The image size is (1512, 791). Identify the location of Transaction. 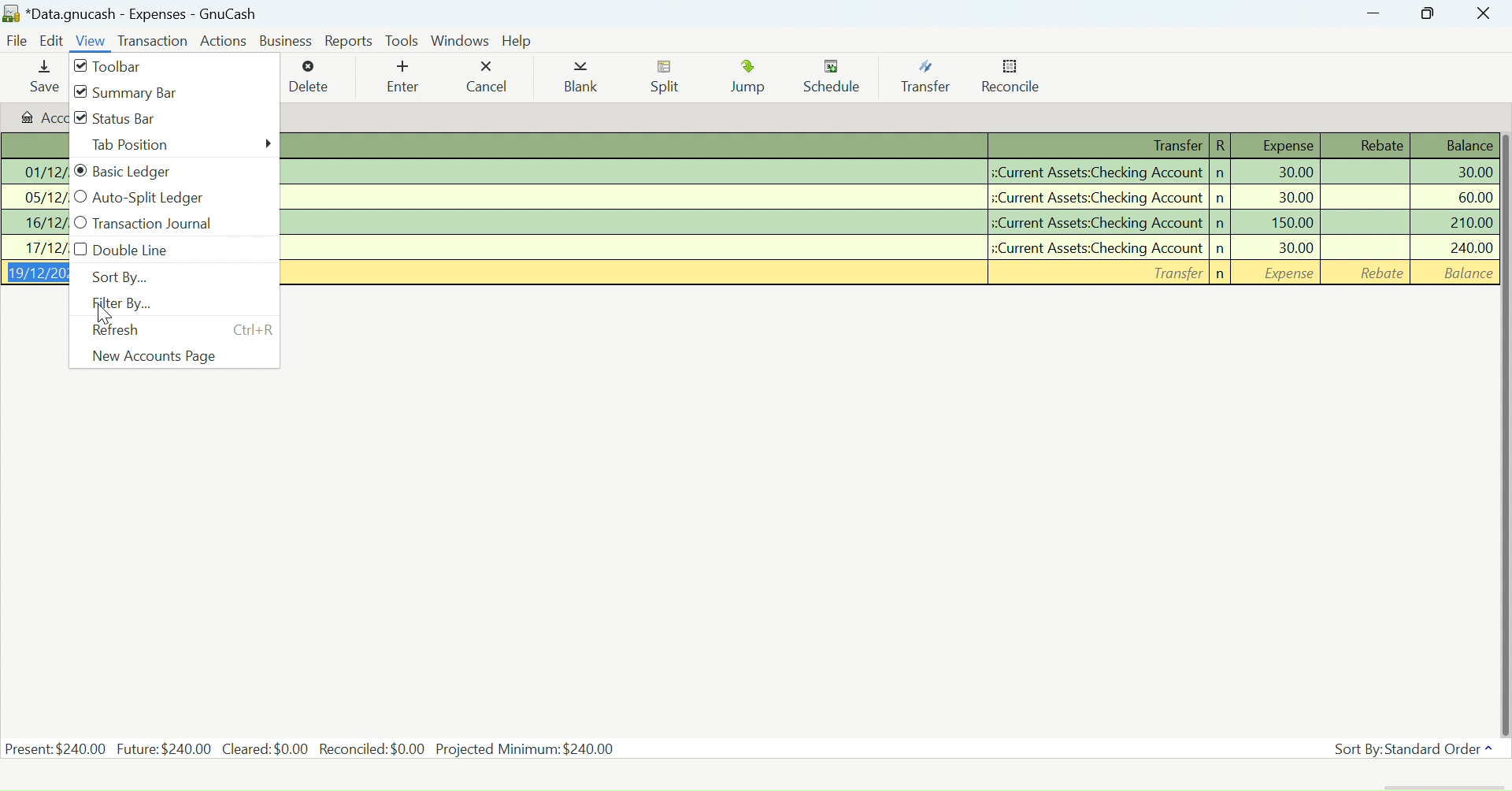
(152, 42).